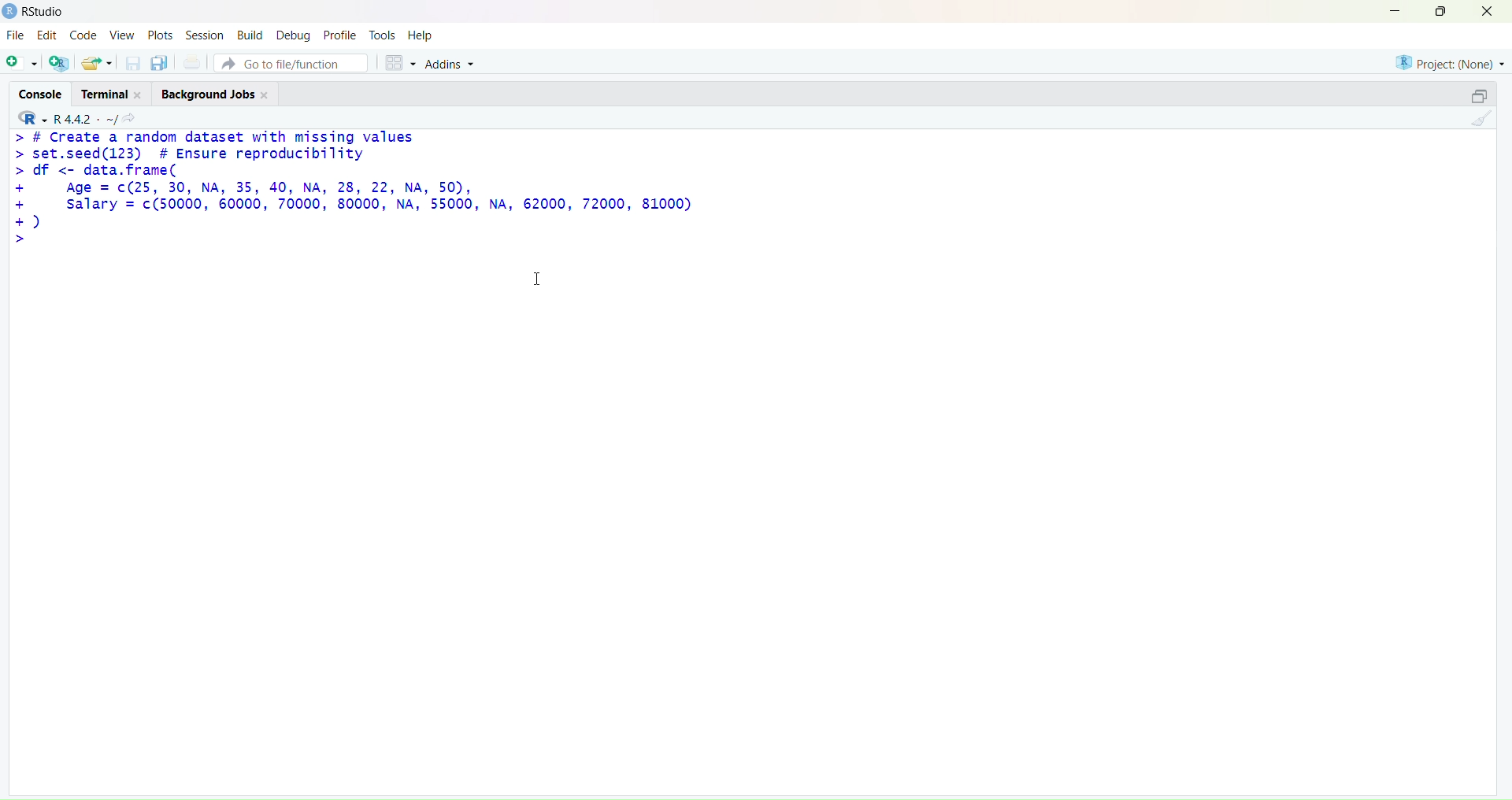 Image resolution: width=1512 pixels, height=800 pixels. What do you see at coordinates (160, 64) in the screenshot?
I see `save all open documents` at bounding box center [160, 64].